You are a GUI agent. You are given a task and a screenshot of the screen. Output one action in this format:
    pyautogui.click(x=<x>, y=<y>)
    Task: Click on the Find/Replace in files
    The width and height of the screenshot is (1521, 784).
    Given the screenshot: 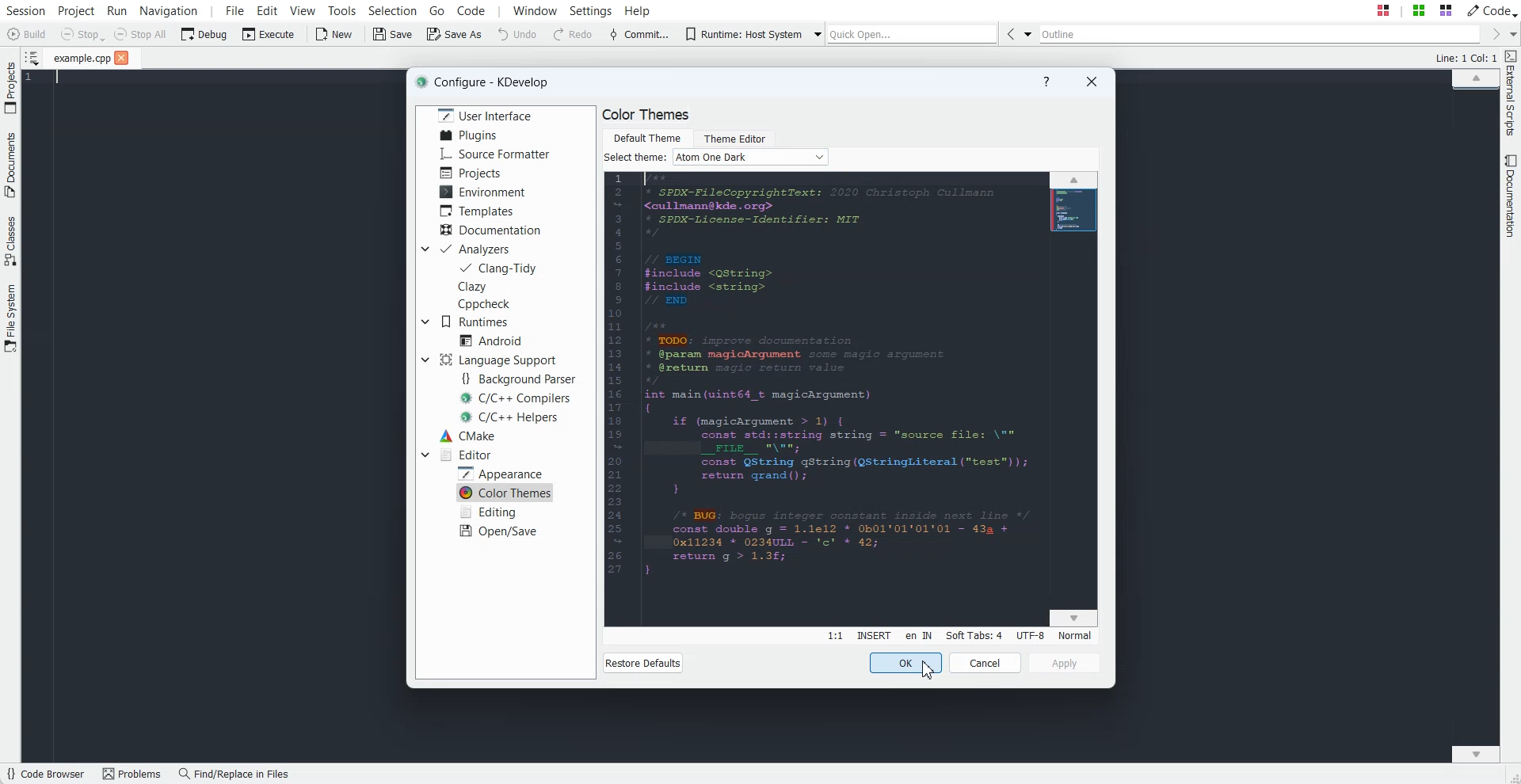 What is the action you would take?
    pyautogui.click(x=238, y=774)
    